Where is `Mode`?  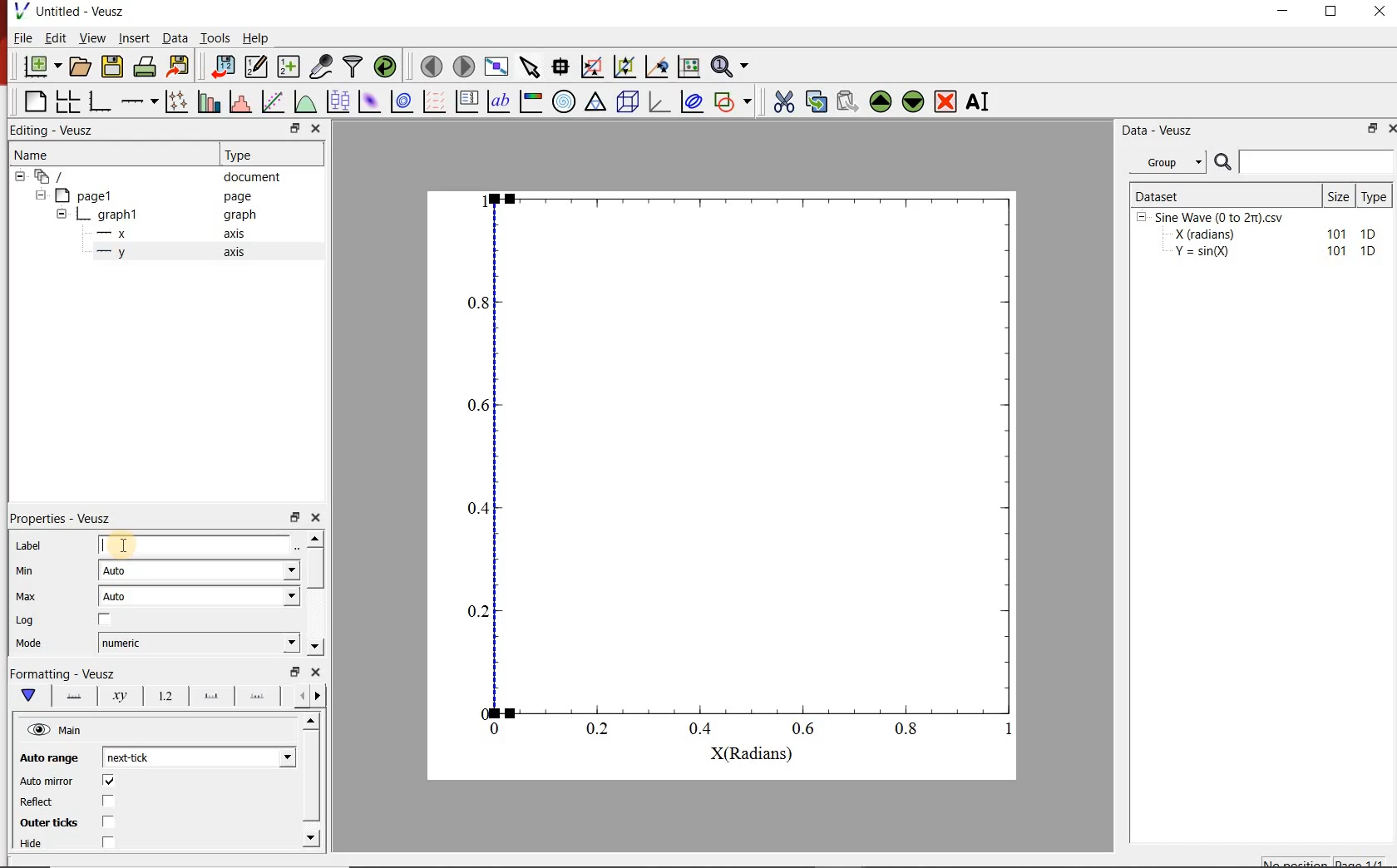
Mode is located at coordinates (29, 644).